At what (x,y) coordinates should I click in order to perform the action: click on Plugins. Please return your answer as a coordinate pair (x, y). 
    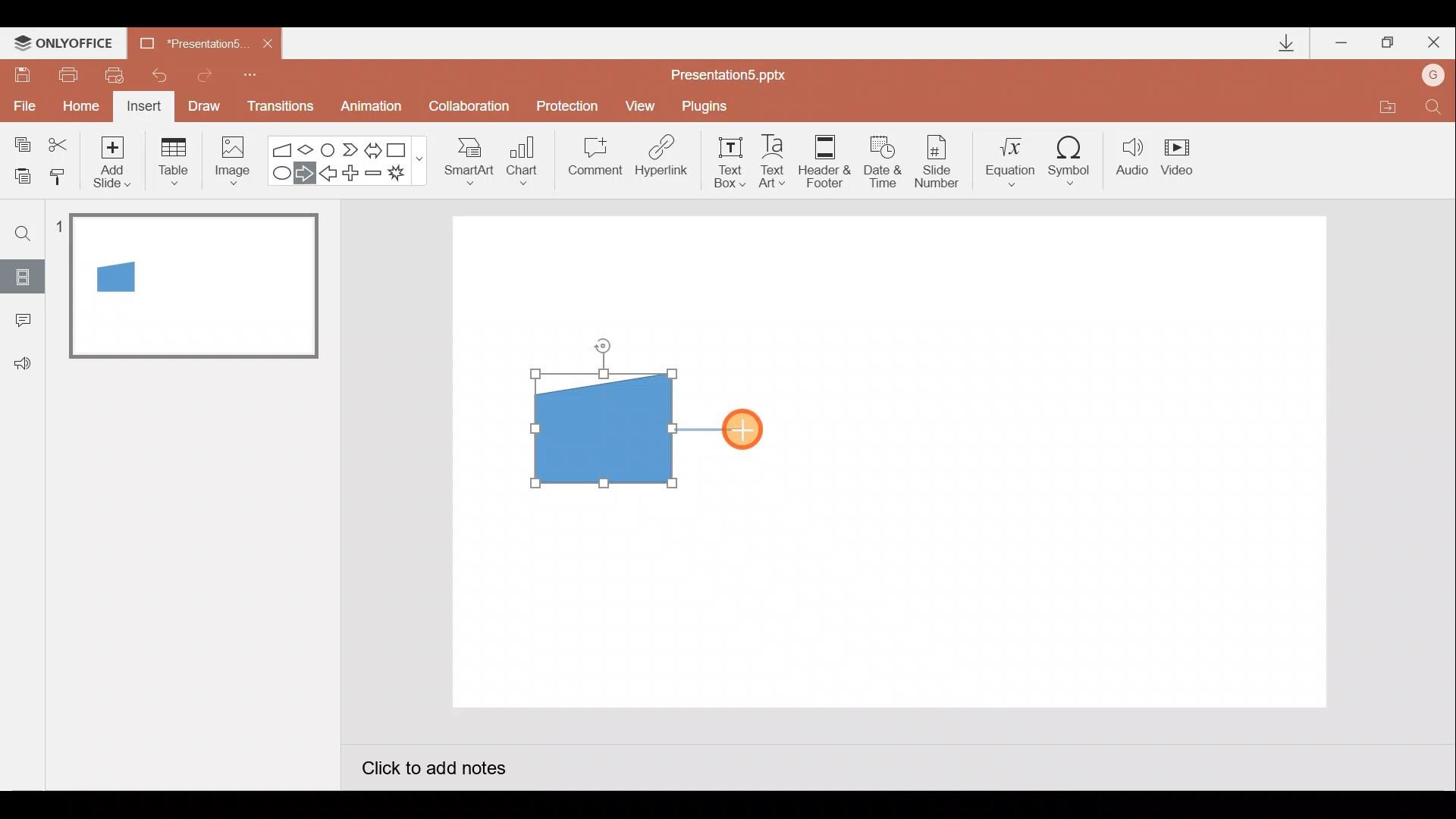
    Looking at the image, I should click on (708, 106).